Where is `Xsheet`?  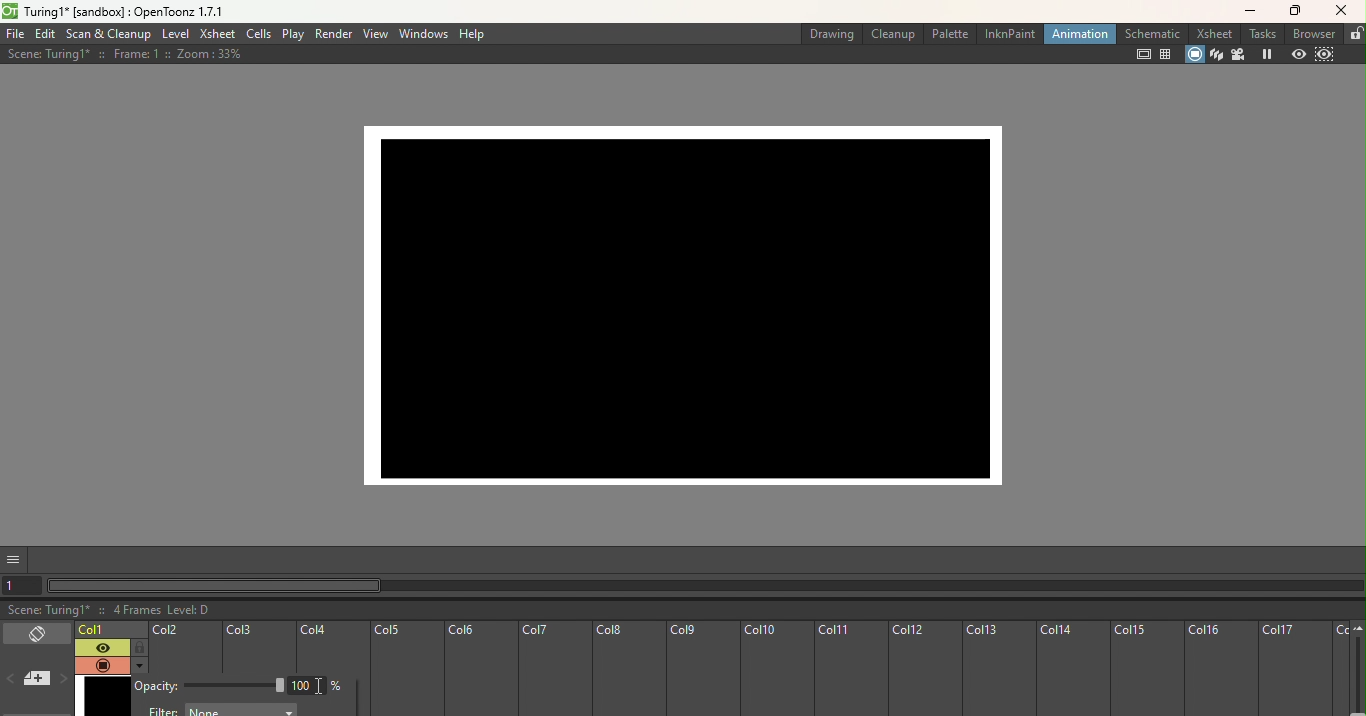 Xsheet is located at coordinates (1210, 34).